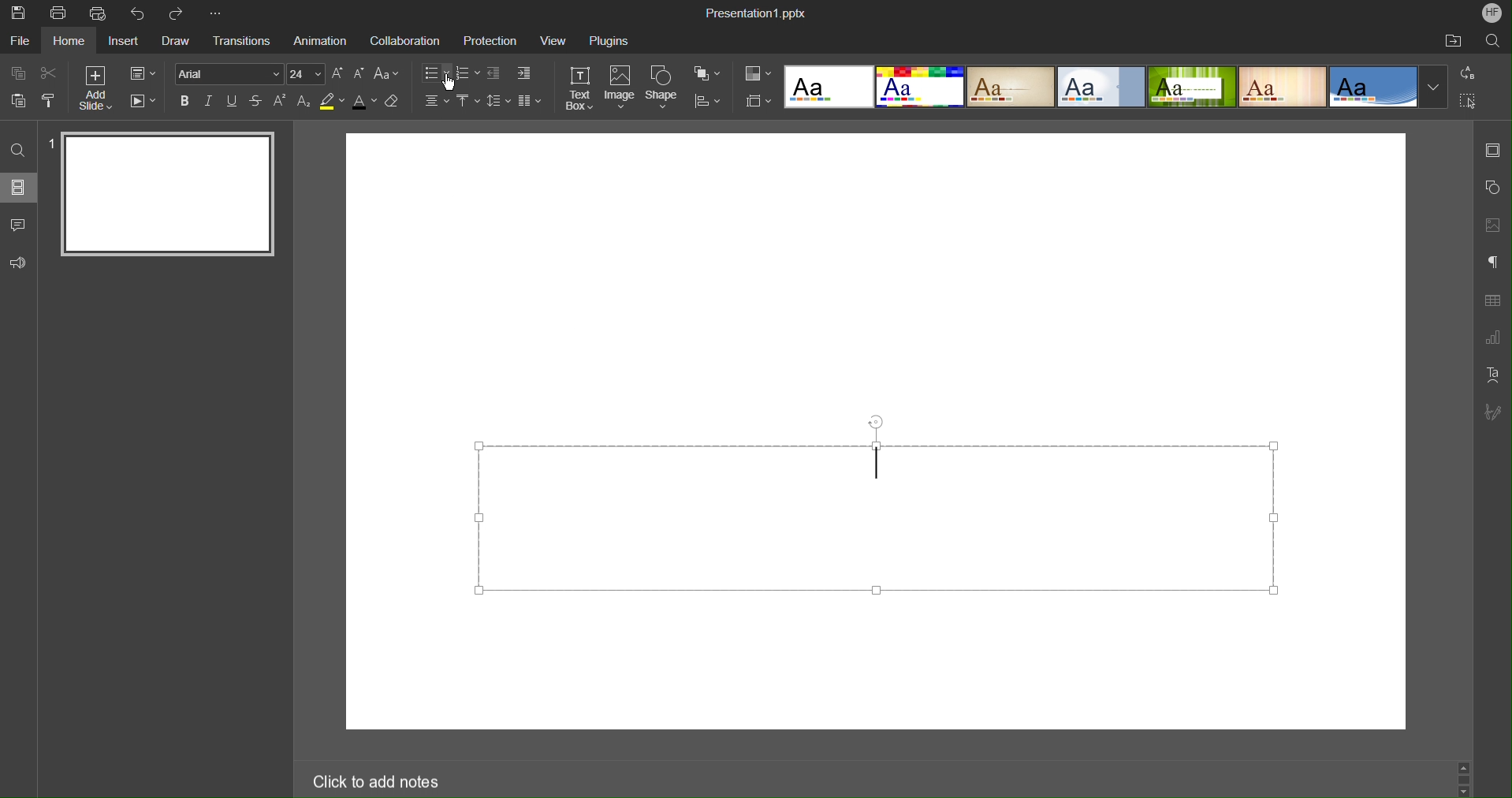 The image size is (1512, 798). Describe the element at coordinates (394, 102) in the screenshot. I see `Erase Style` at that location.